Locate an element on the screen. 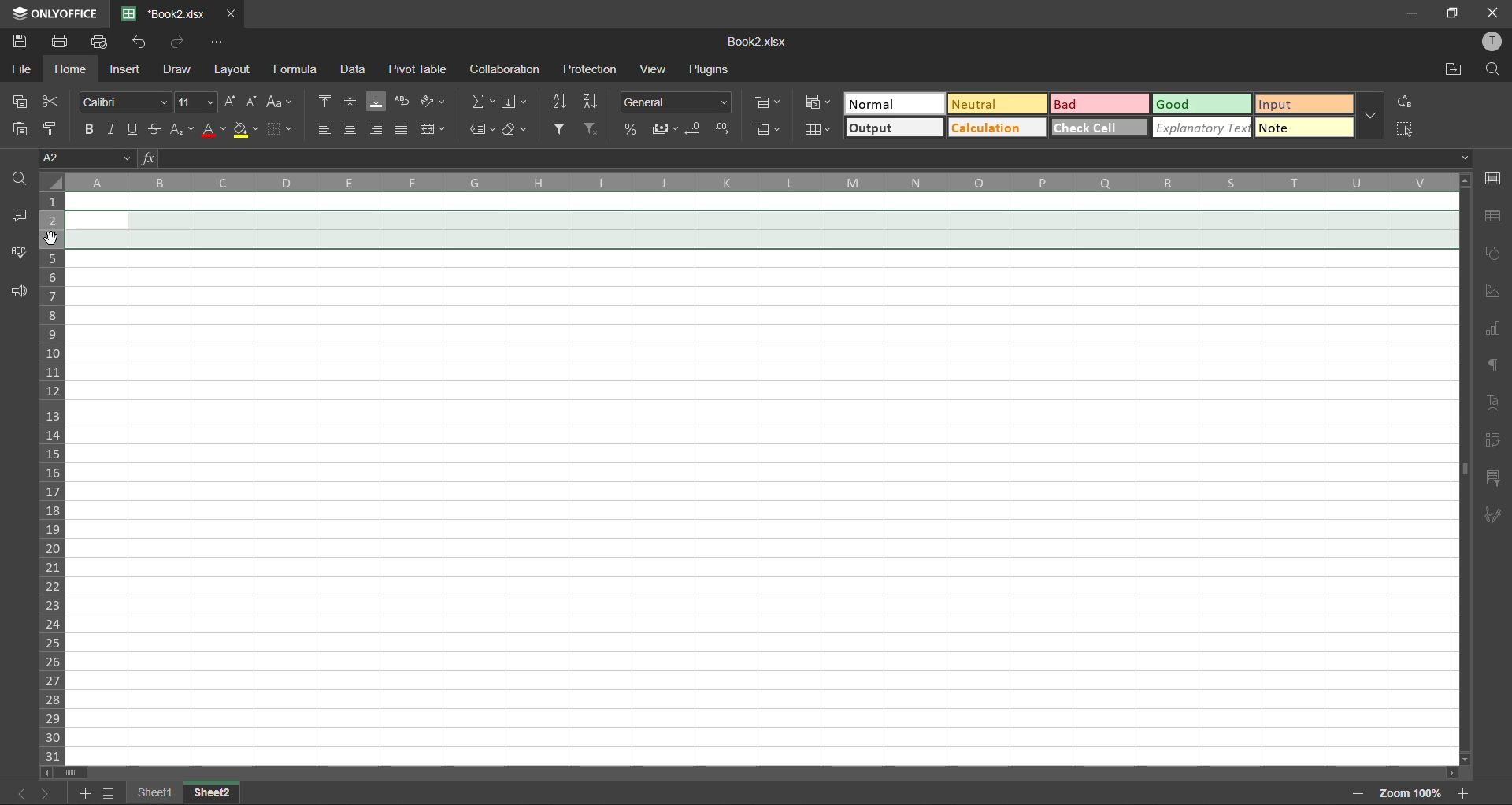  collaboration is located at coordinates (503, 69).